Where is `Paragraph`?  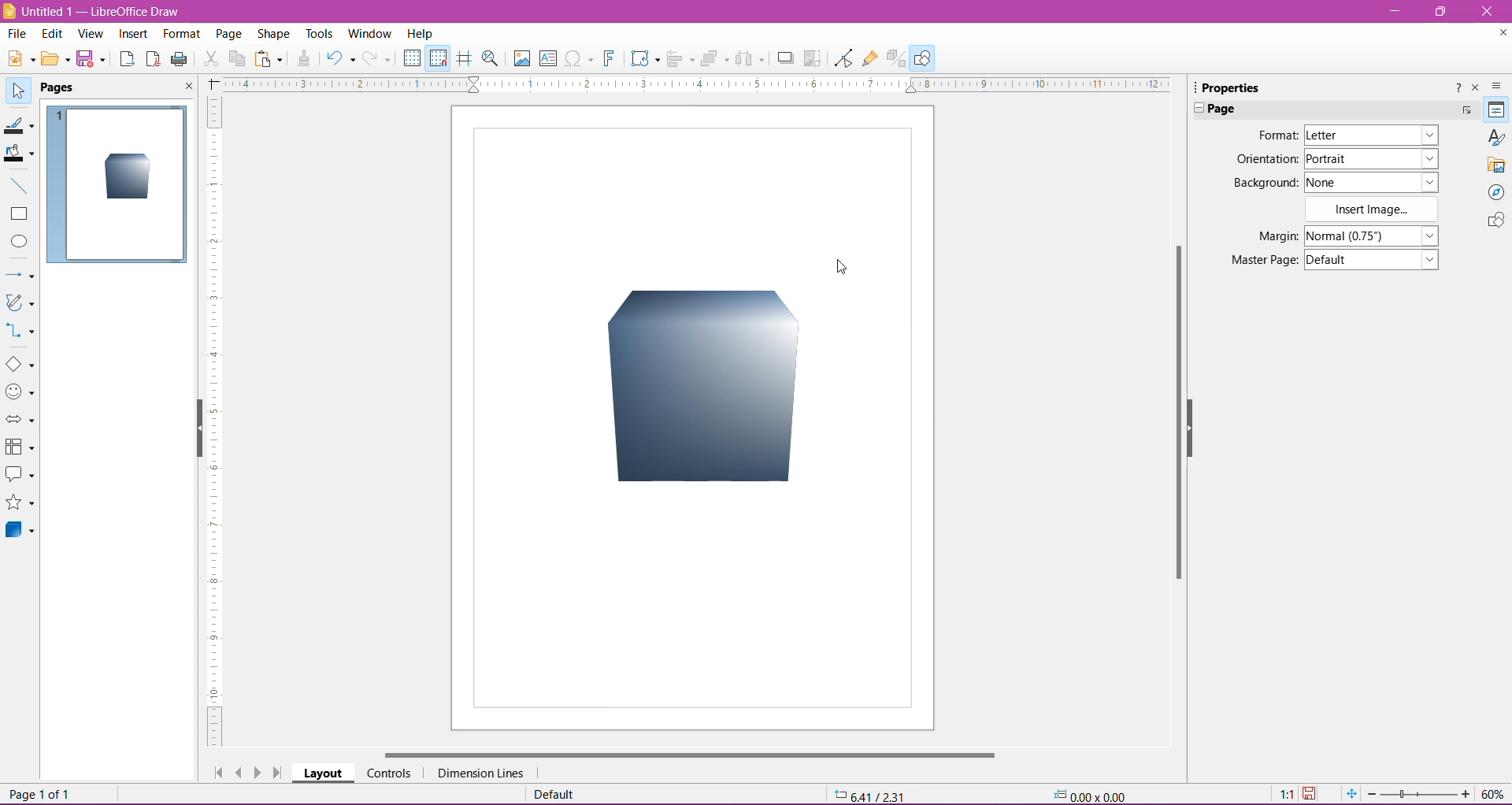
Paragraph is located at coordinates (1325, 108).